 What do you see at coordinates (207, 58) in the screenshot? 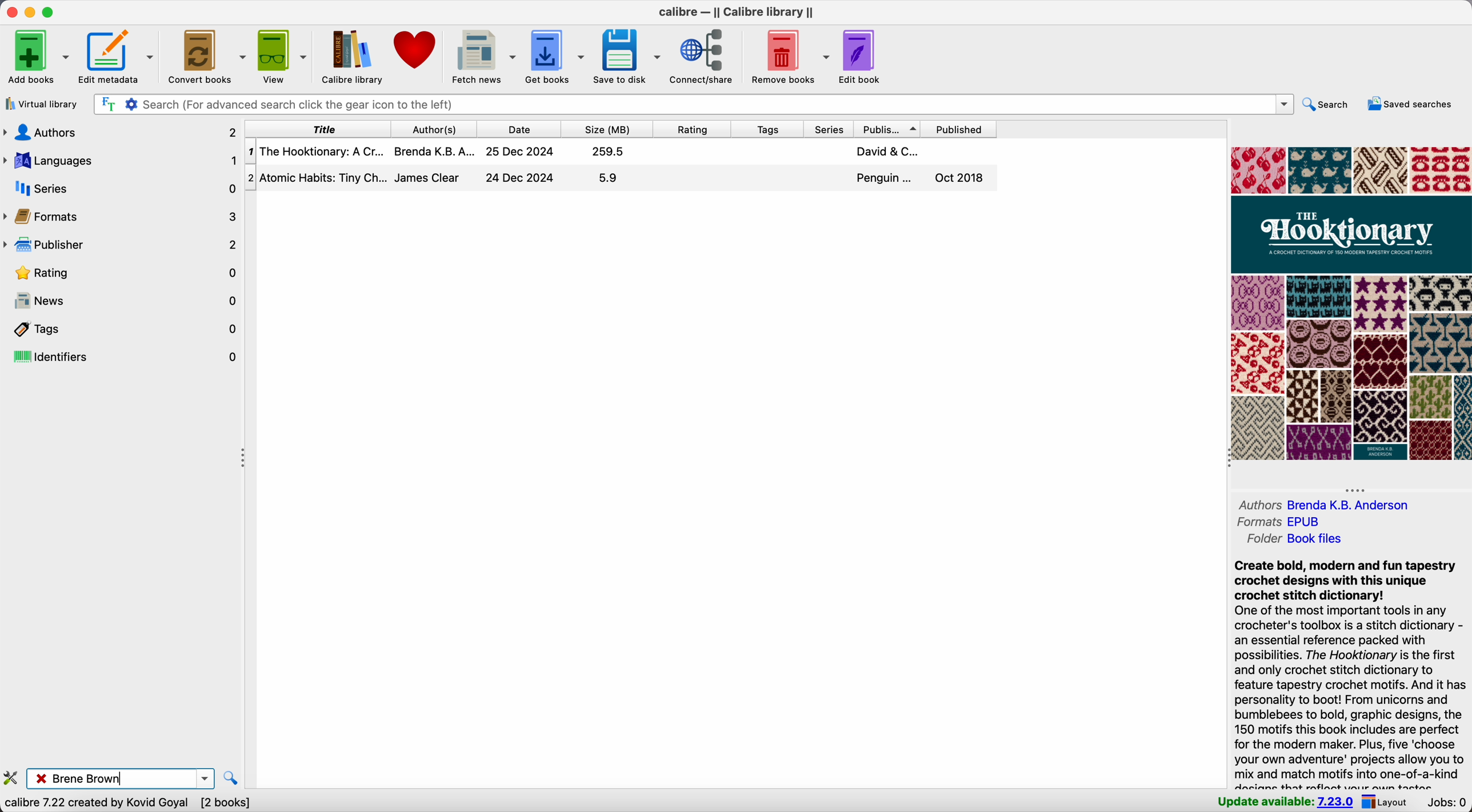
I see `convert books` at bounding box center [207, 58].